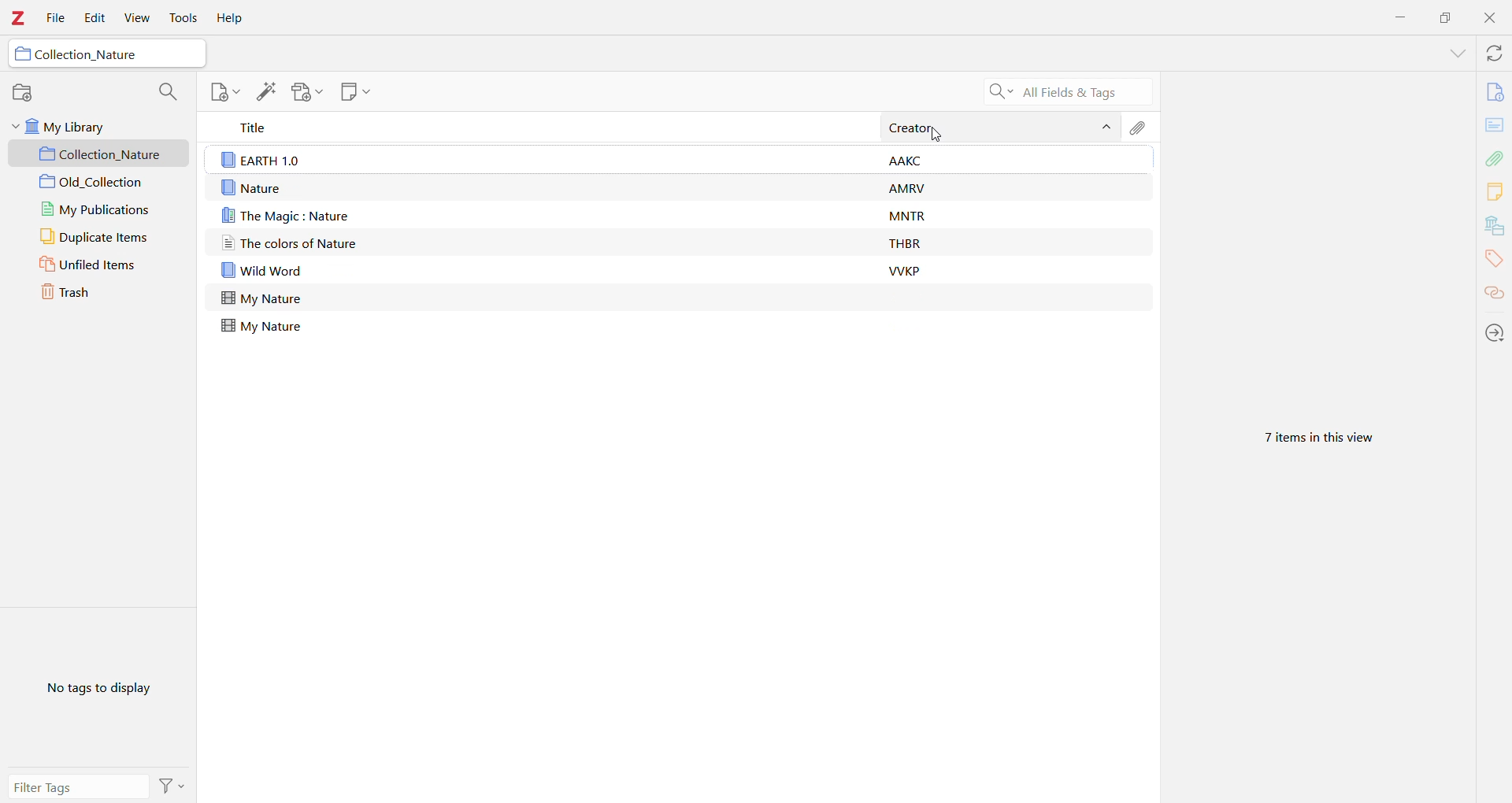 This screenshot has height=803, width=1512. I want to click on Duplicate Items, so click(105, 235).